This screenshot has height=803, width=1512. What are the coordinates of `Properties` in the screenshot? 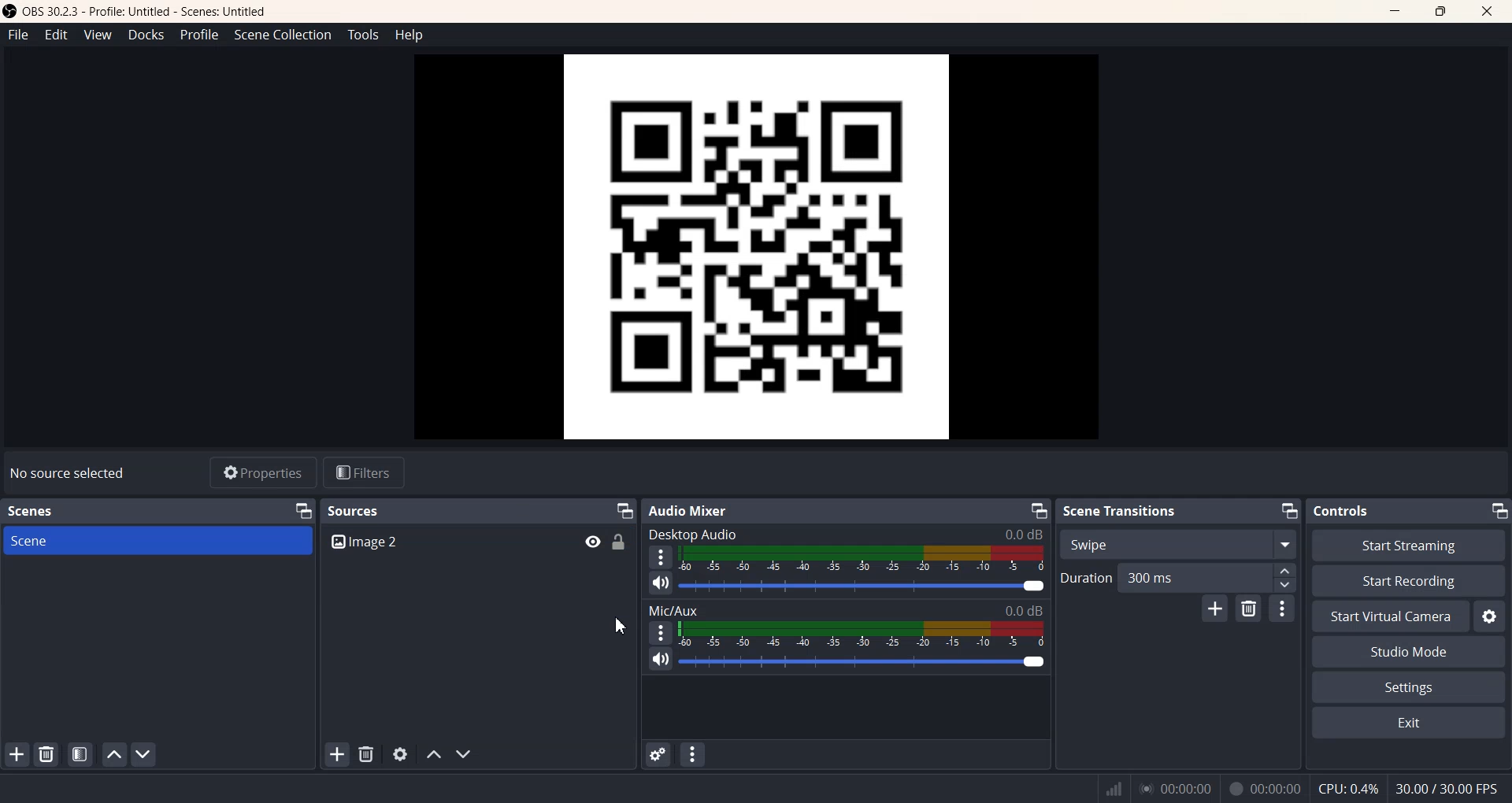 It's located at (261, 472).